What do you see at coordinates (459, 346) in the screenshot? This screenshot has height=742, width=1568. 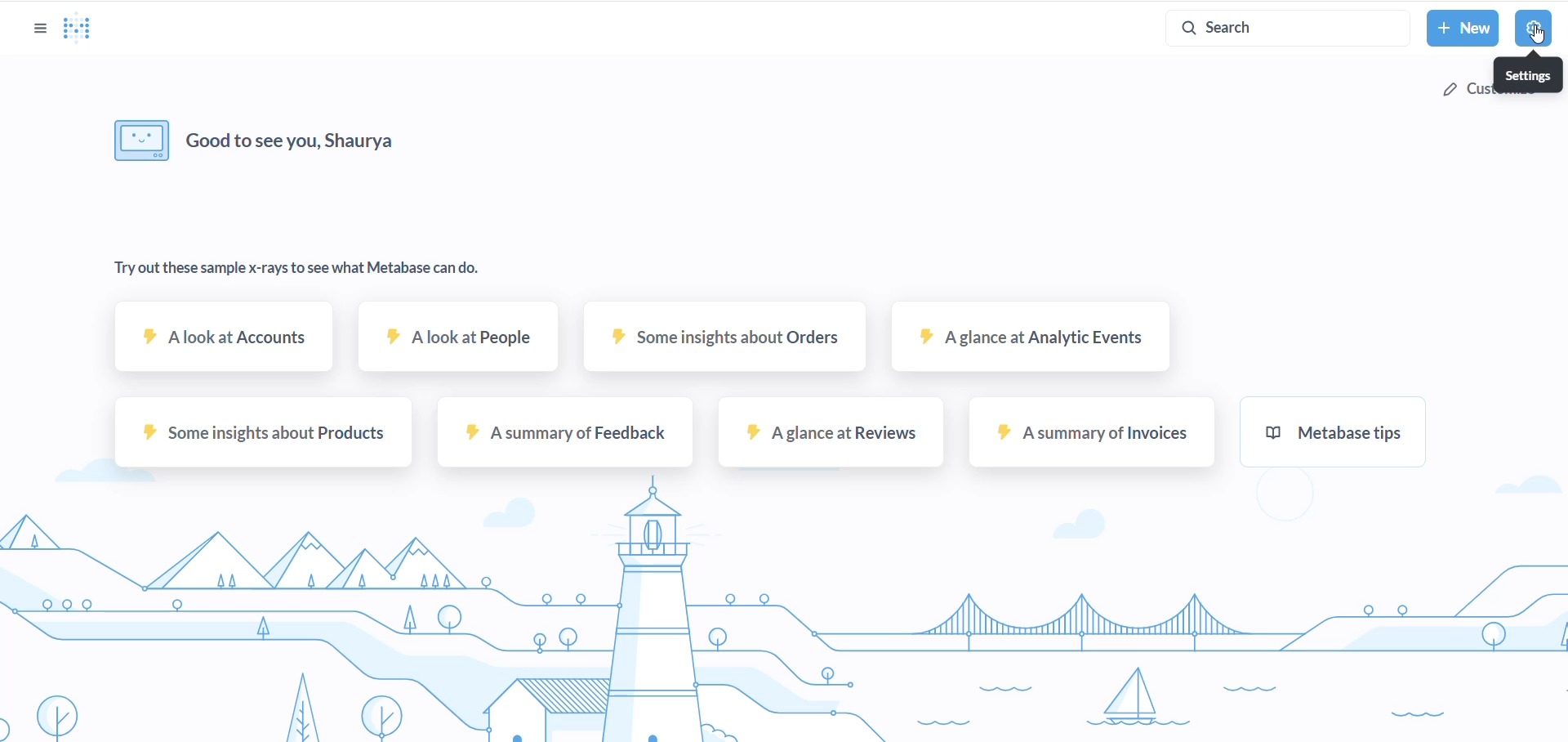 I see `A look at people` at bounding box center [459, 346].